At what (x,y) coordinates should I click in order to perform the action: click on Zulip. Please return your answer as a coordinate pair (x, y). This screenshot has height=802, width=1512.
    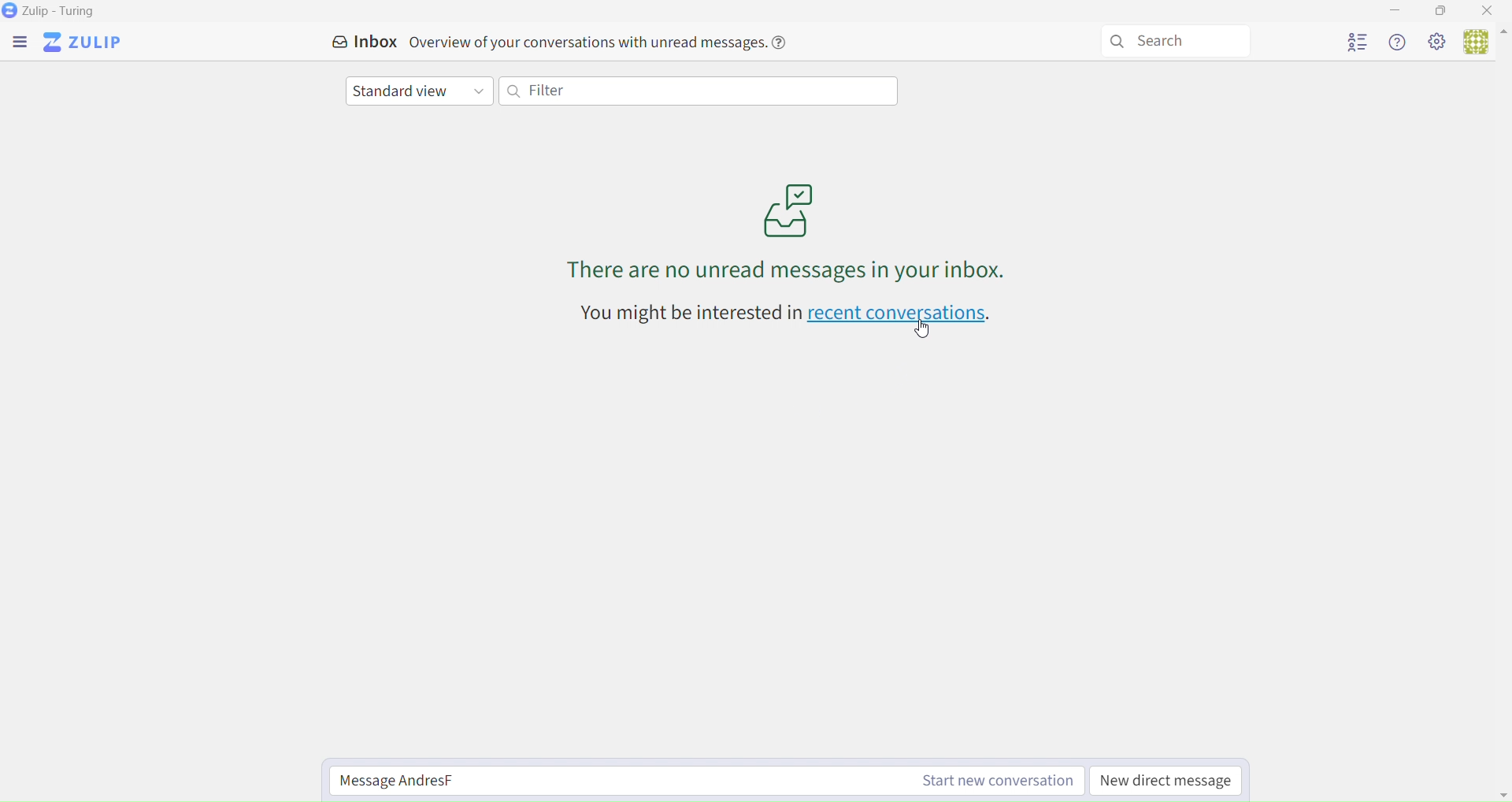
    Looking at the image, I should click on (53, 12).